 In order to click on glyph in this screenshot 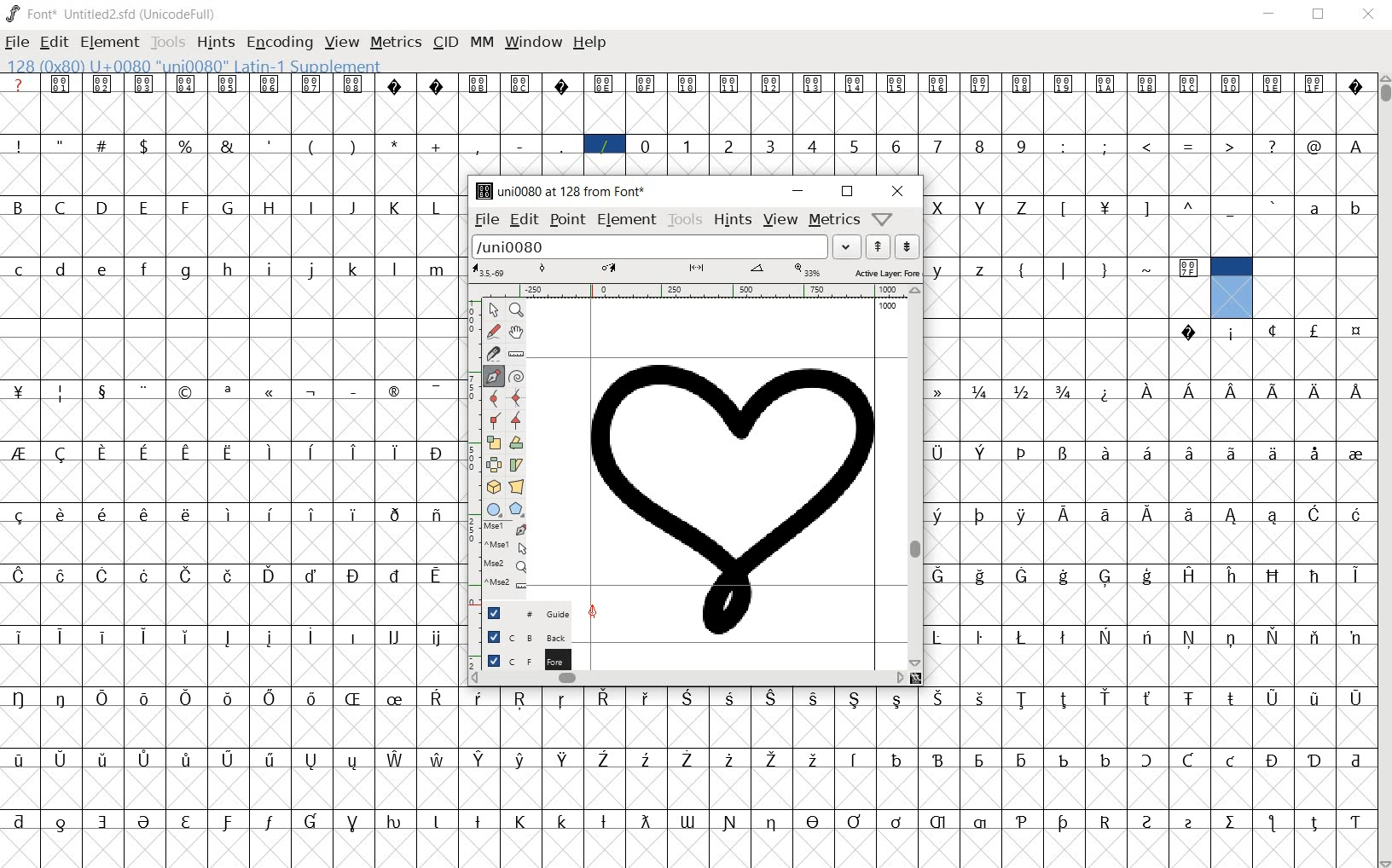, I will do `click(355, 269)`.